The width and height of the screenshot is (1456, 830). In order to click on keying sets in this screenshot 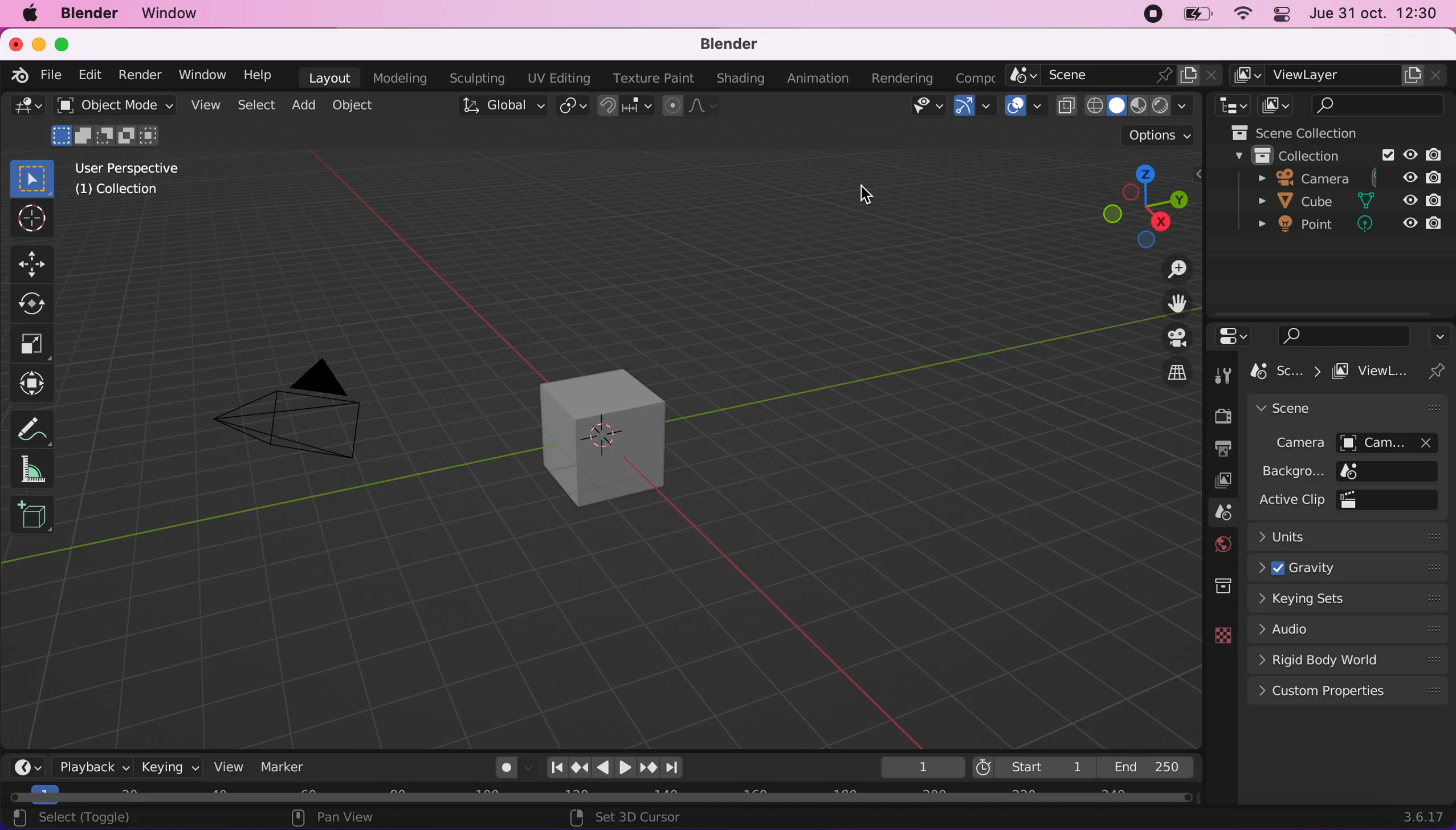, I will do `click(1351, 601)`.